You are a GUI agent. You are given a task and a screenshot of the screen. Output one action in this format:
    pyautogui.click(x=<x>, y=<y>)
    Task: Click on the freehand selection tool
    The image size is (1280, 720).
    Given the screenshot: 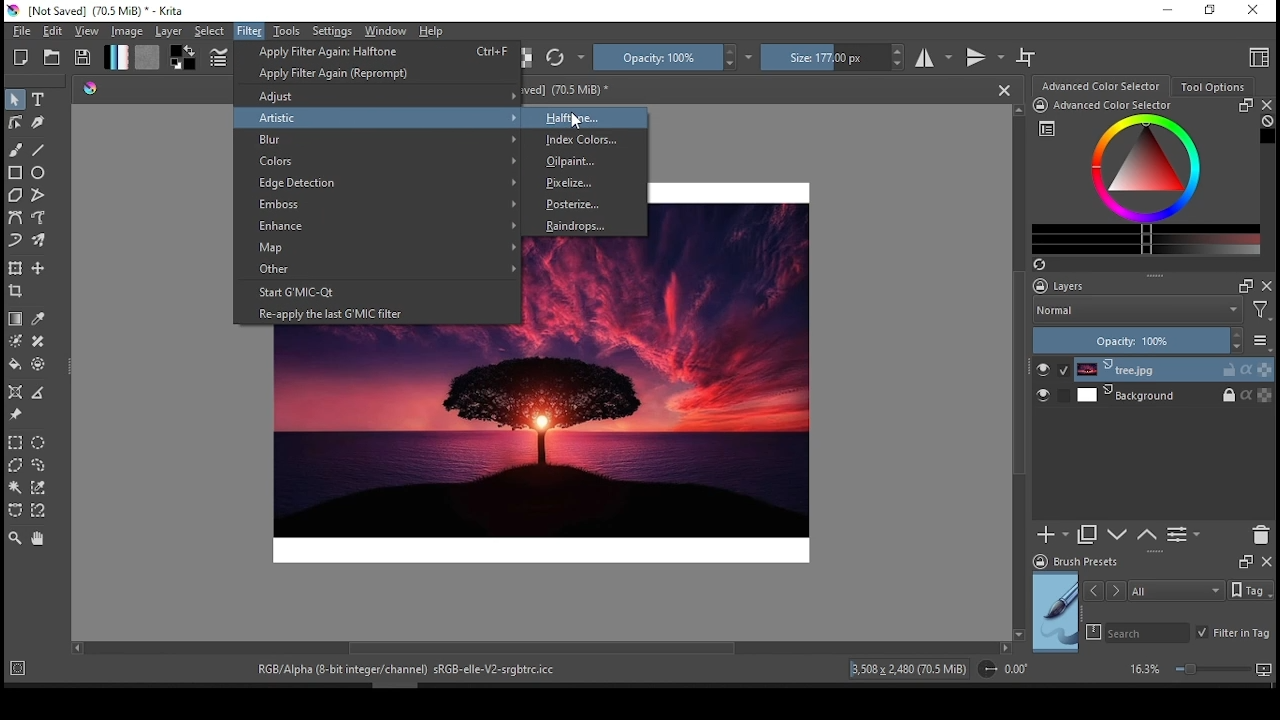 What is the action you would take?
    pyautogui.click(x=39, y=464)
    